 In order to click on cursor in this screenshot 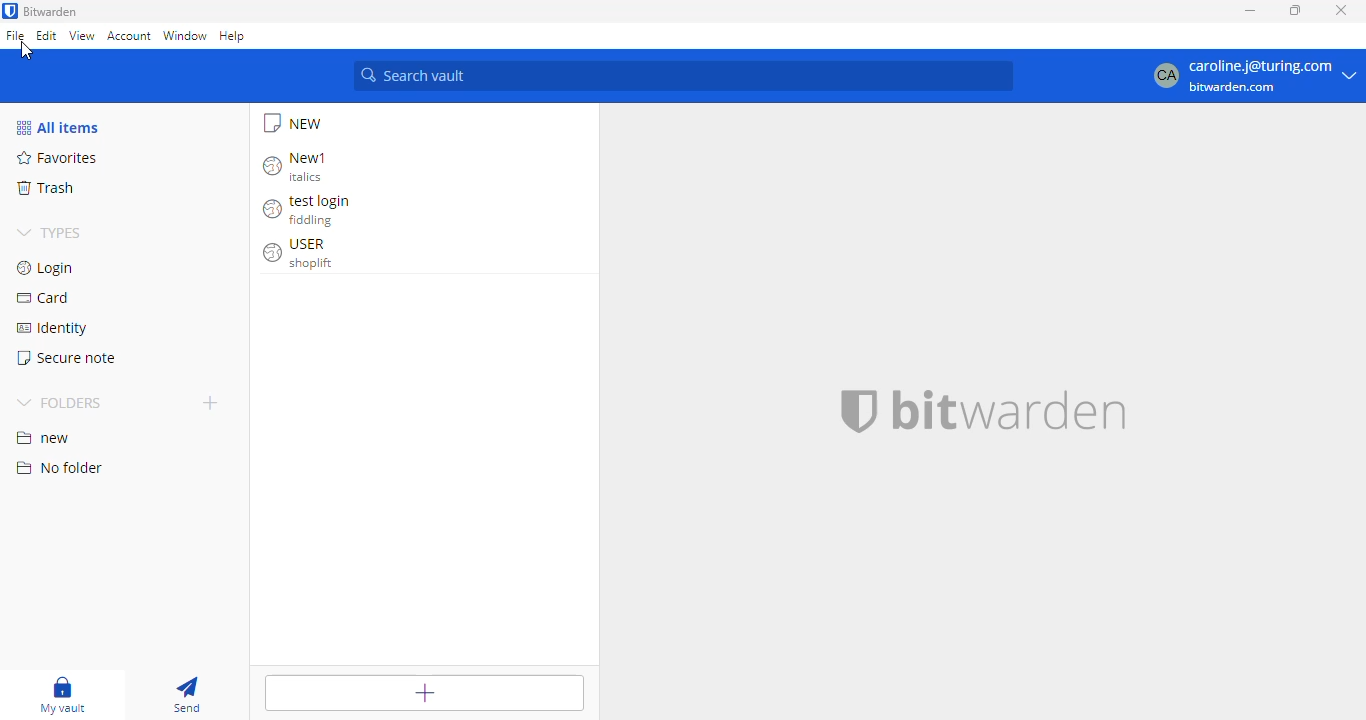, I will do `click(26, 51)`.